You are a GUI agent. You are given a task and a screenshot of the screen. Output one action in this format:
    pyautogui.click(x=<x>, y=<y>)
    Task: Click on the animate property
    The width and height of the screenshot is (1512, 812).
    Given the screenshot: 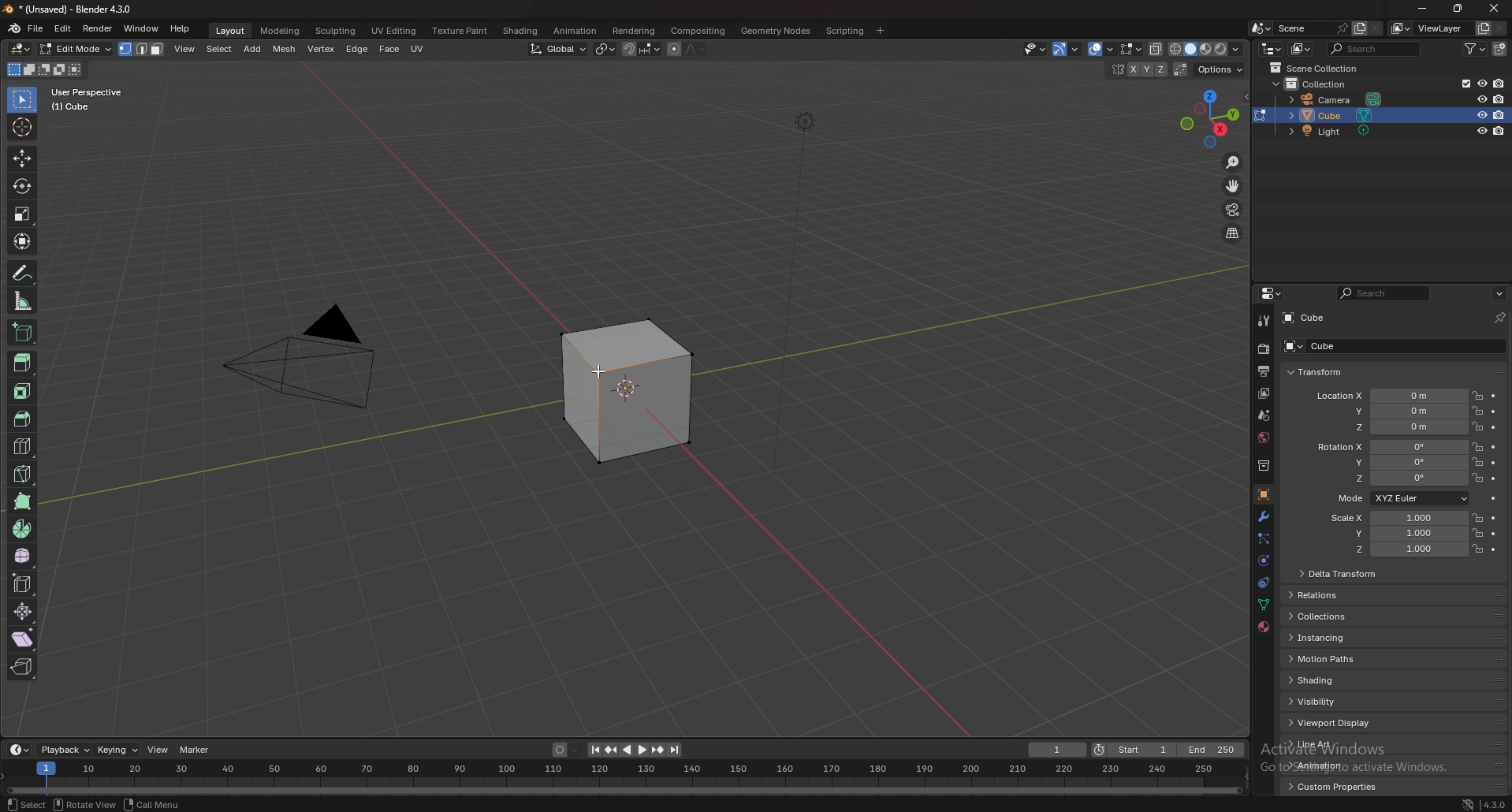 What is the action you would take?
    pyautogui.click(x=1494, y=411)
    